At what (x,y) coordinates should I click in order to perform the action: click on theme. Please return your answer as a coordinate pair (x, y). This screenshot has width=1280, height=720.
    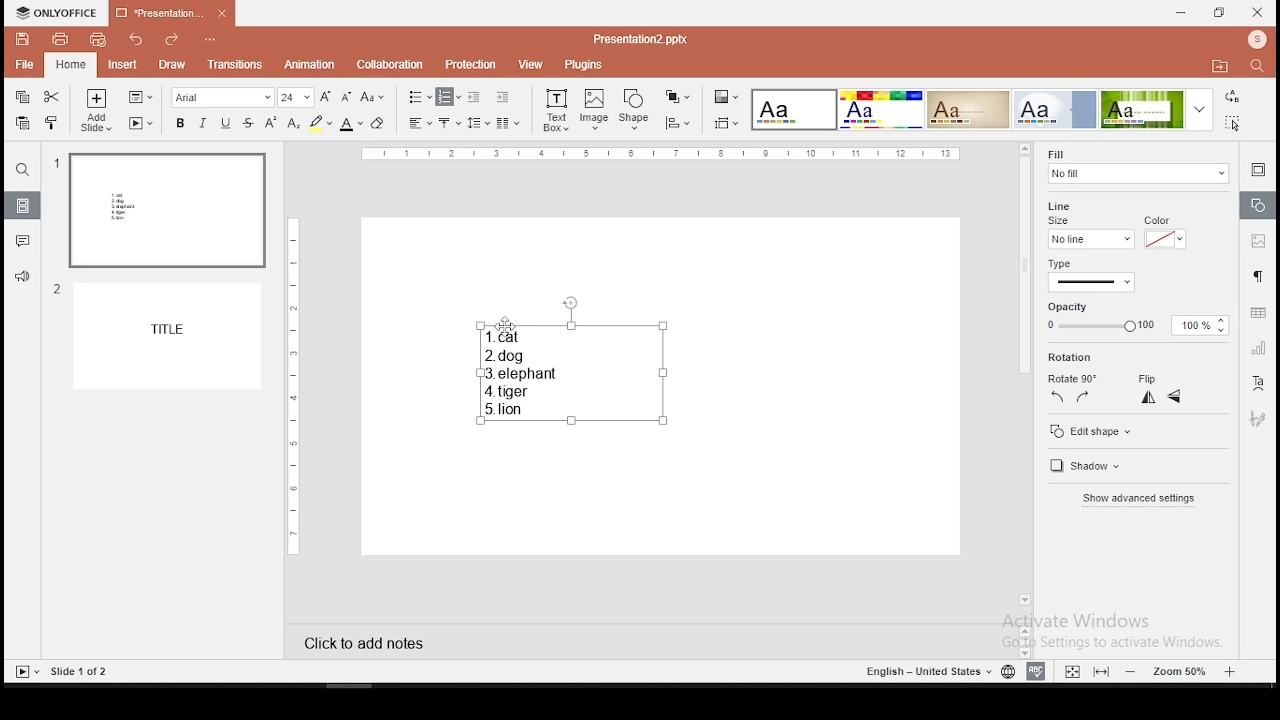
    Looking at the image, I should click on (1157, 109).